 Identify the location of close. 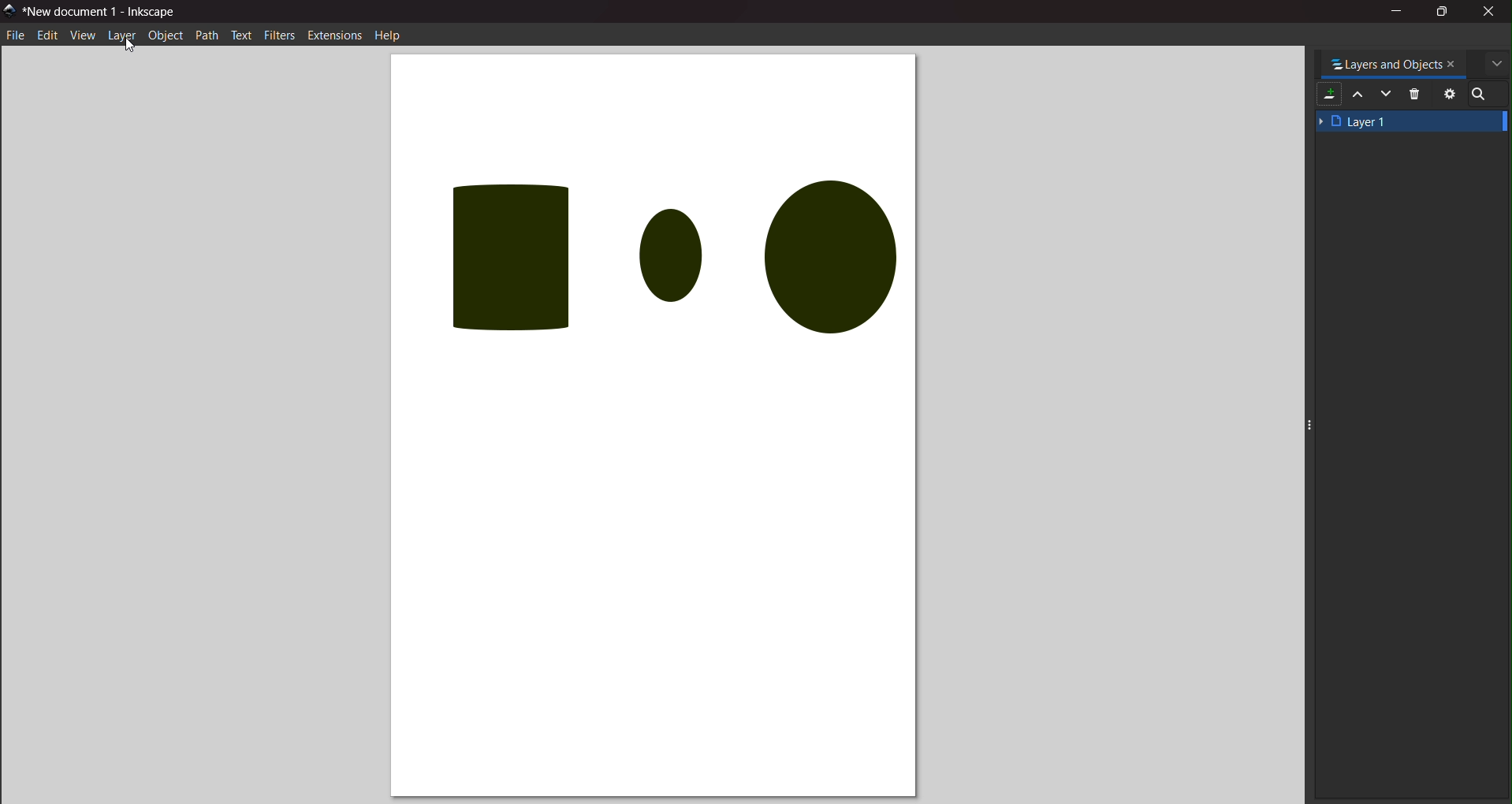
(1488, 13).